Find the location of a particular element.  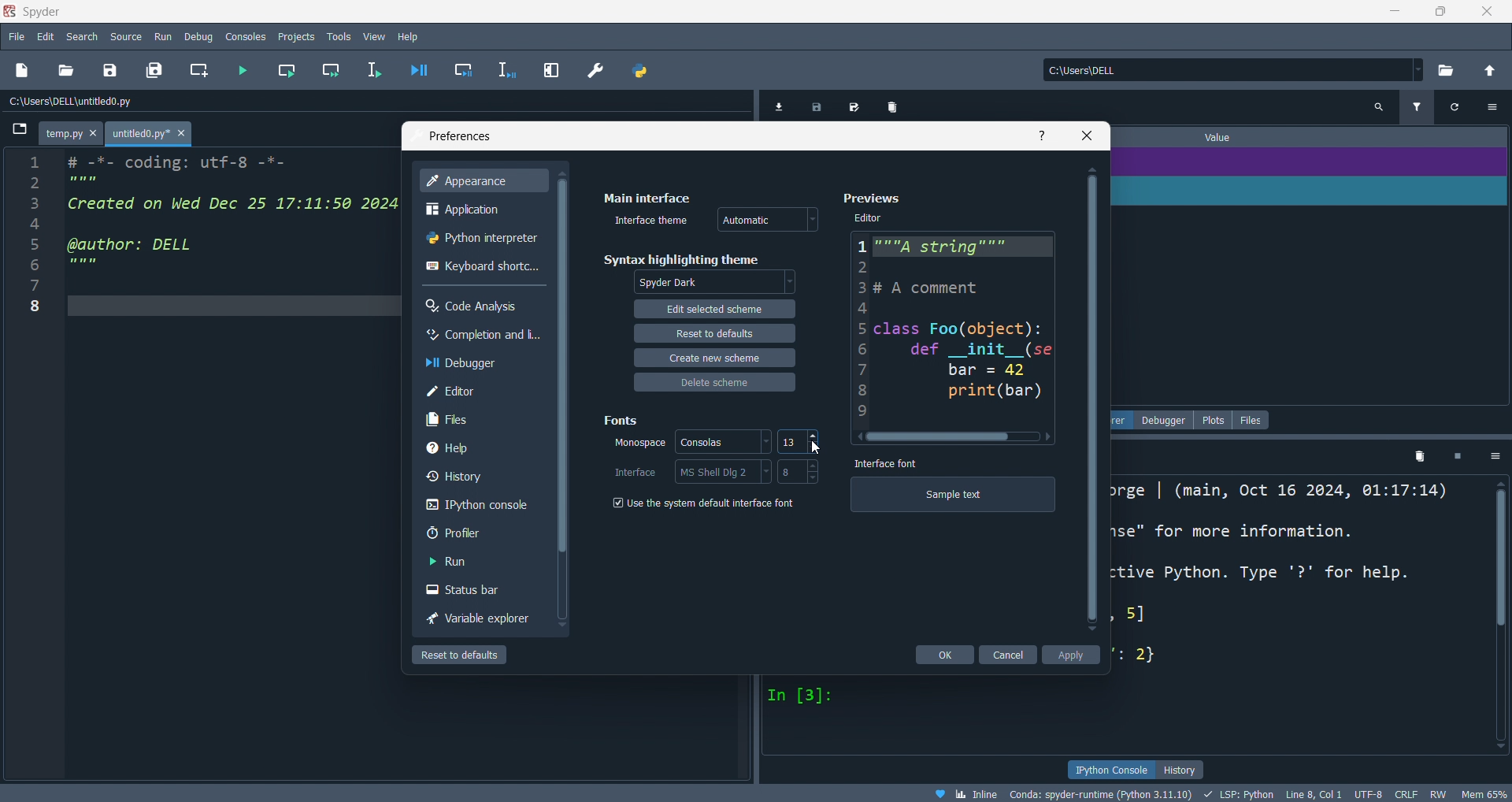

Use the system default interface font is located at coordinates (702, 503).